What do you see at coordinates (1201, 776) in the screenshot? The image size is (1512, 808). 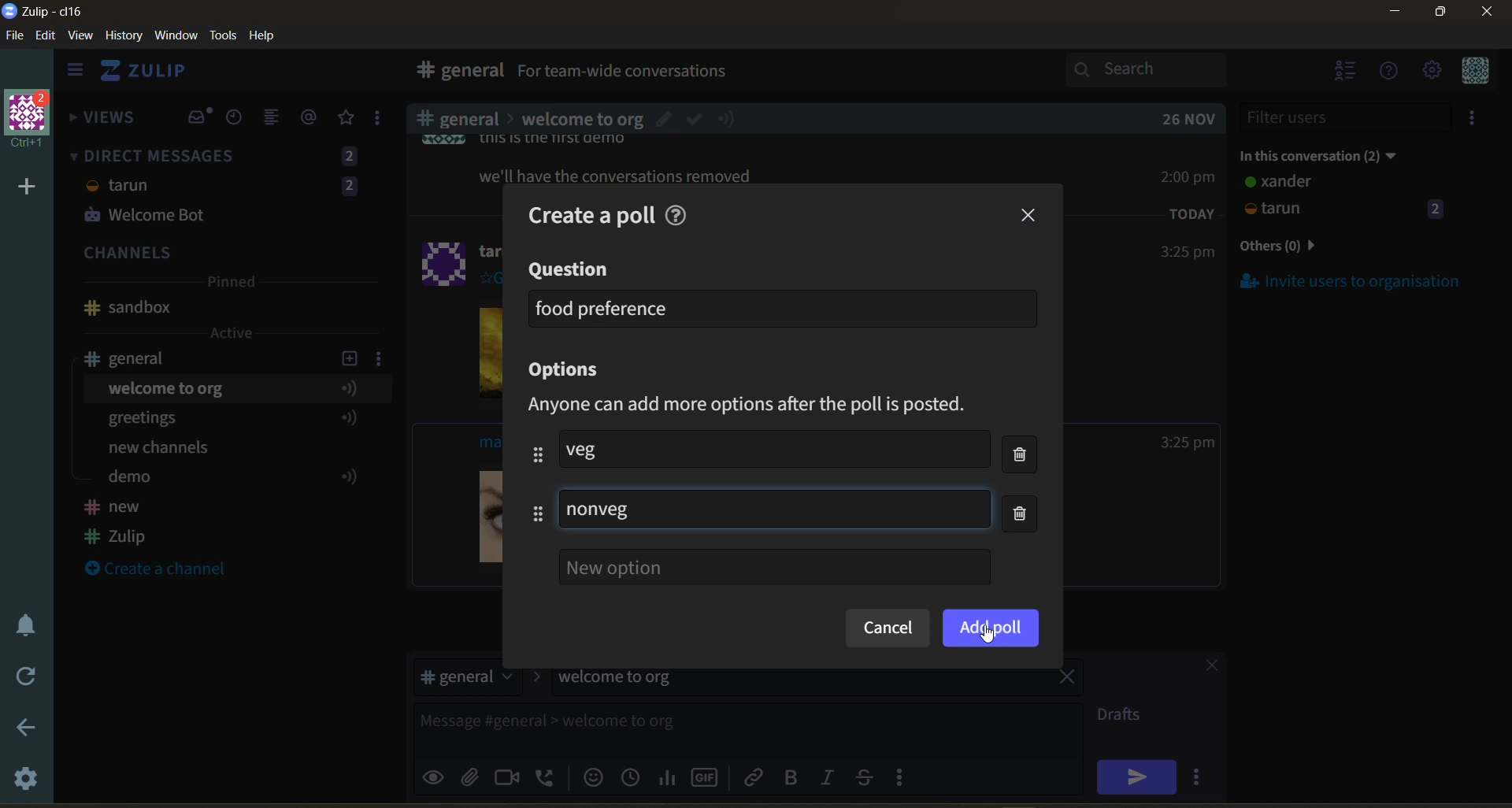 I see `send options` at bounding box center [1201, 776].